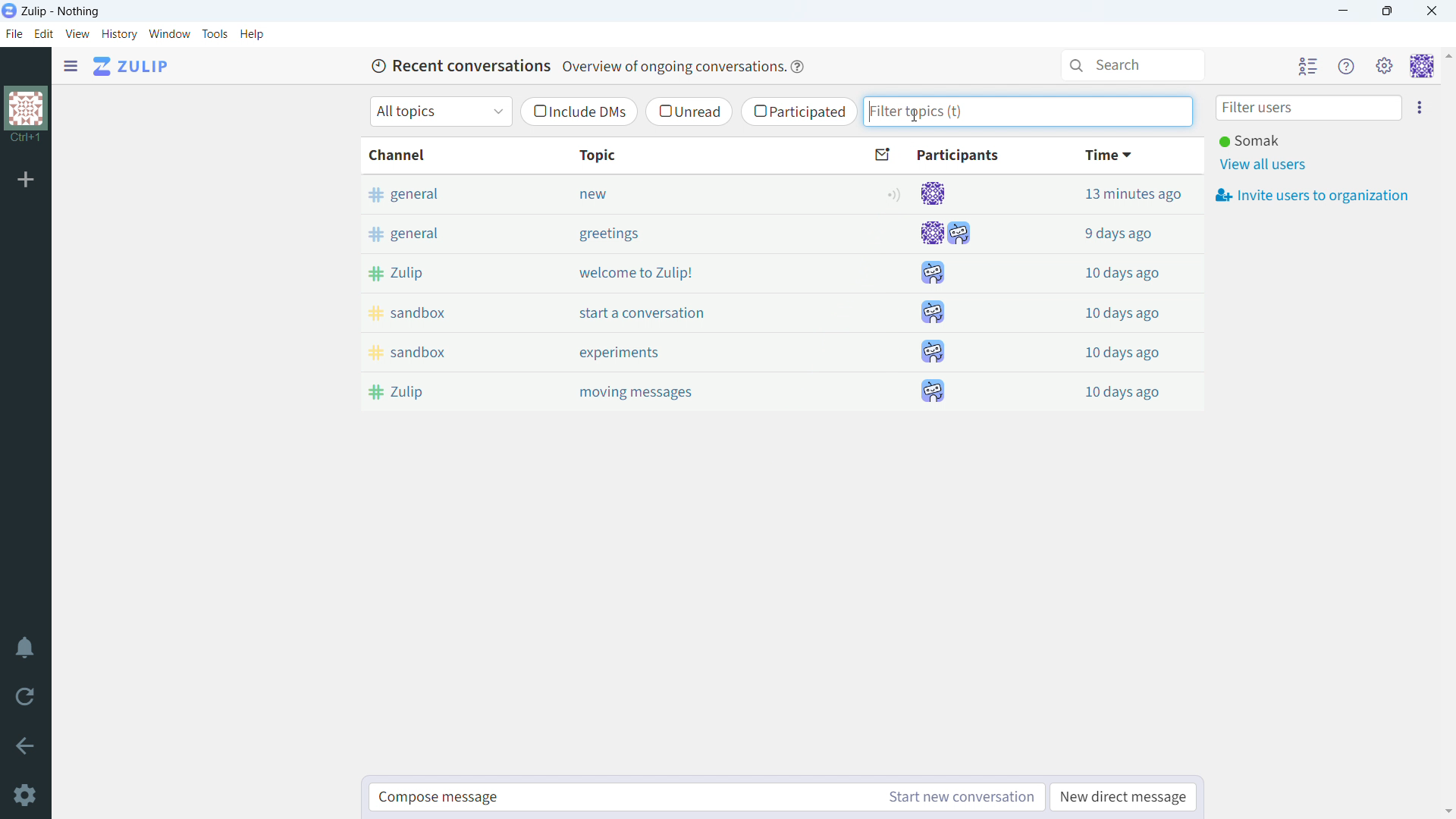 The height and width of the screenshot is (819, 1456). I want to click on new direct message, so click(1123, 797).